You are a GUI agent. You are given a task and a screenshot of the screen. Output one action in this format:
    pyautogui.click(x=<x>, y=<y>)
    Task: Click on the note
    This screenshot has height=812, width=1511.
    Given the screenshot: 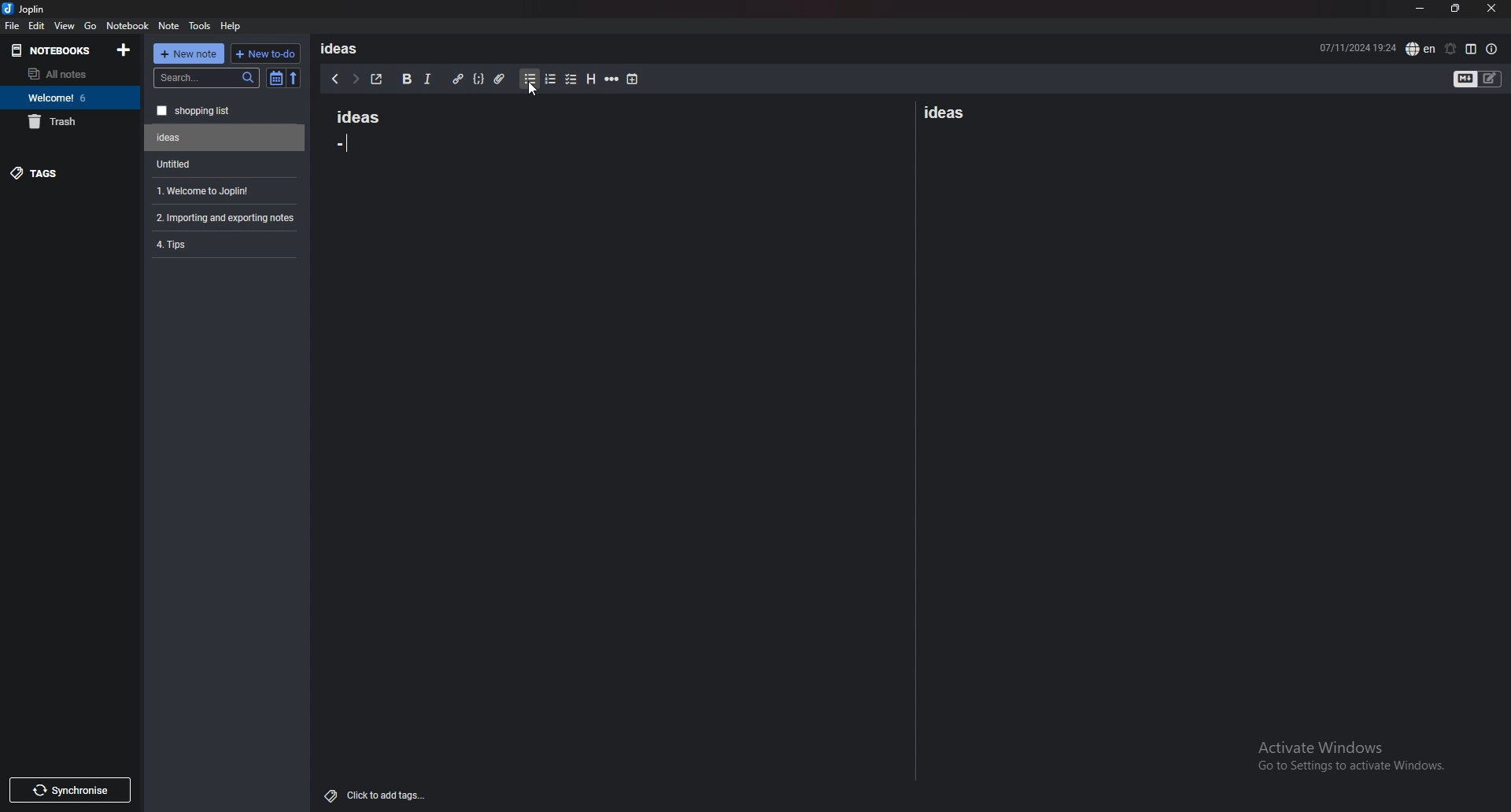 What is the action you would take?
    pyautogui.click(x=169, y=26)
    